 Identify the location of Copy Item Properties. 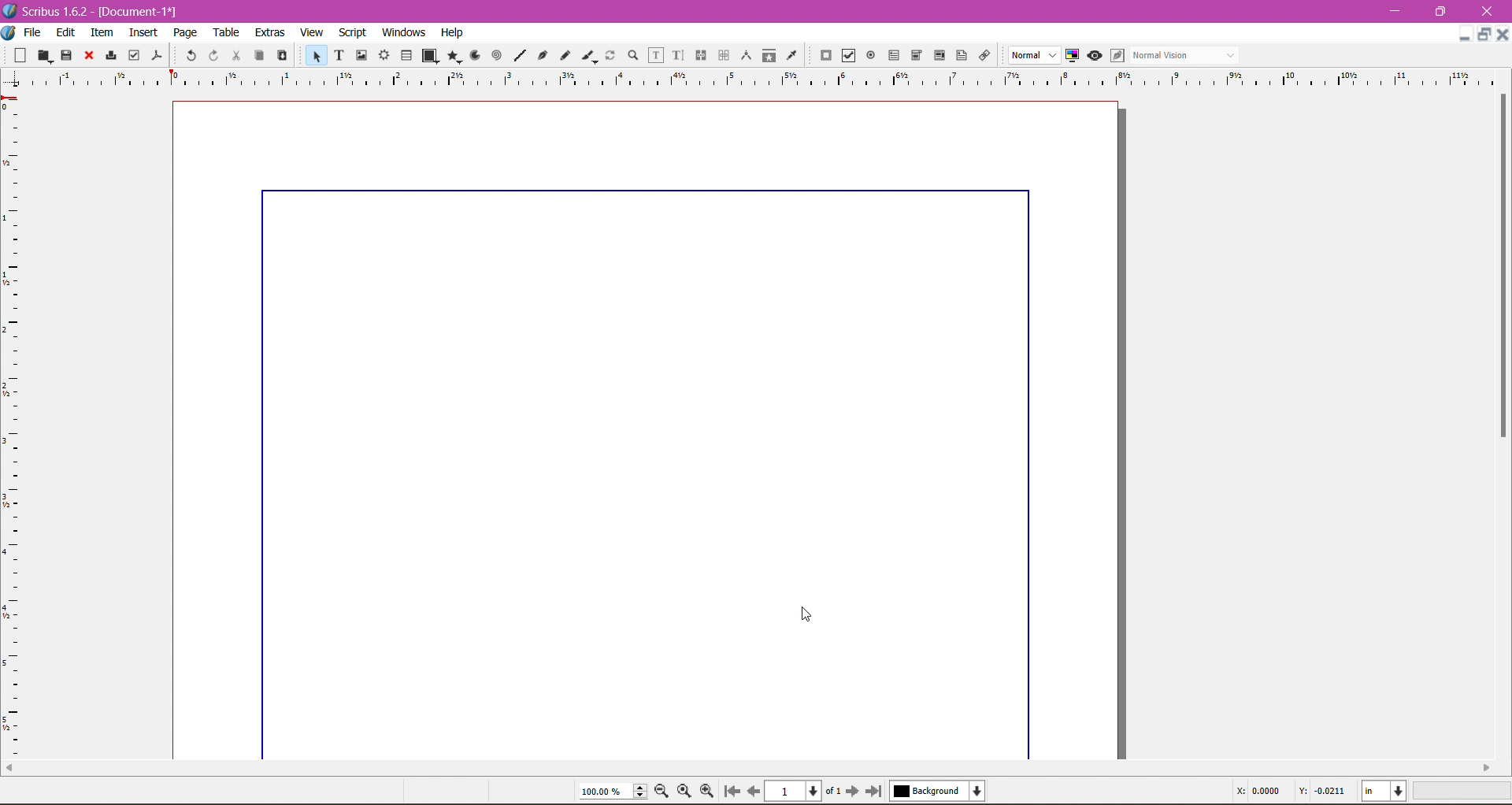
(769, 55).